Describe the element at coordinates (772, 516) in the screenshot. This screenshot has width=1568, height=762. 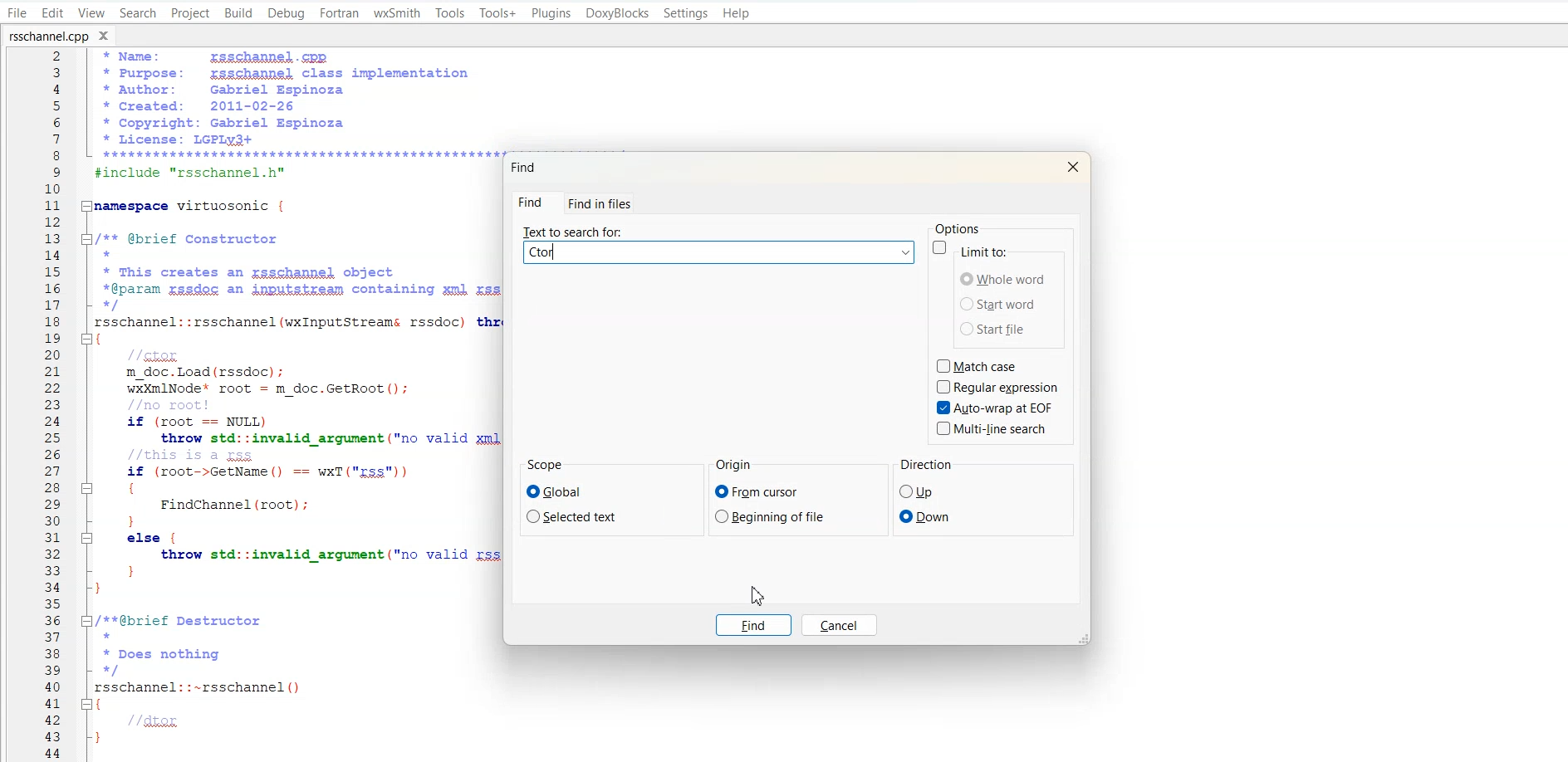
I see `Beginning of file` at that location.